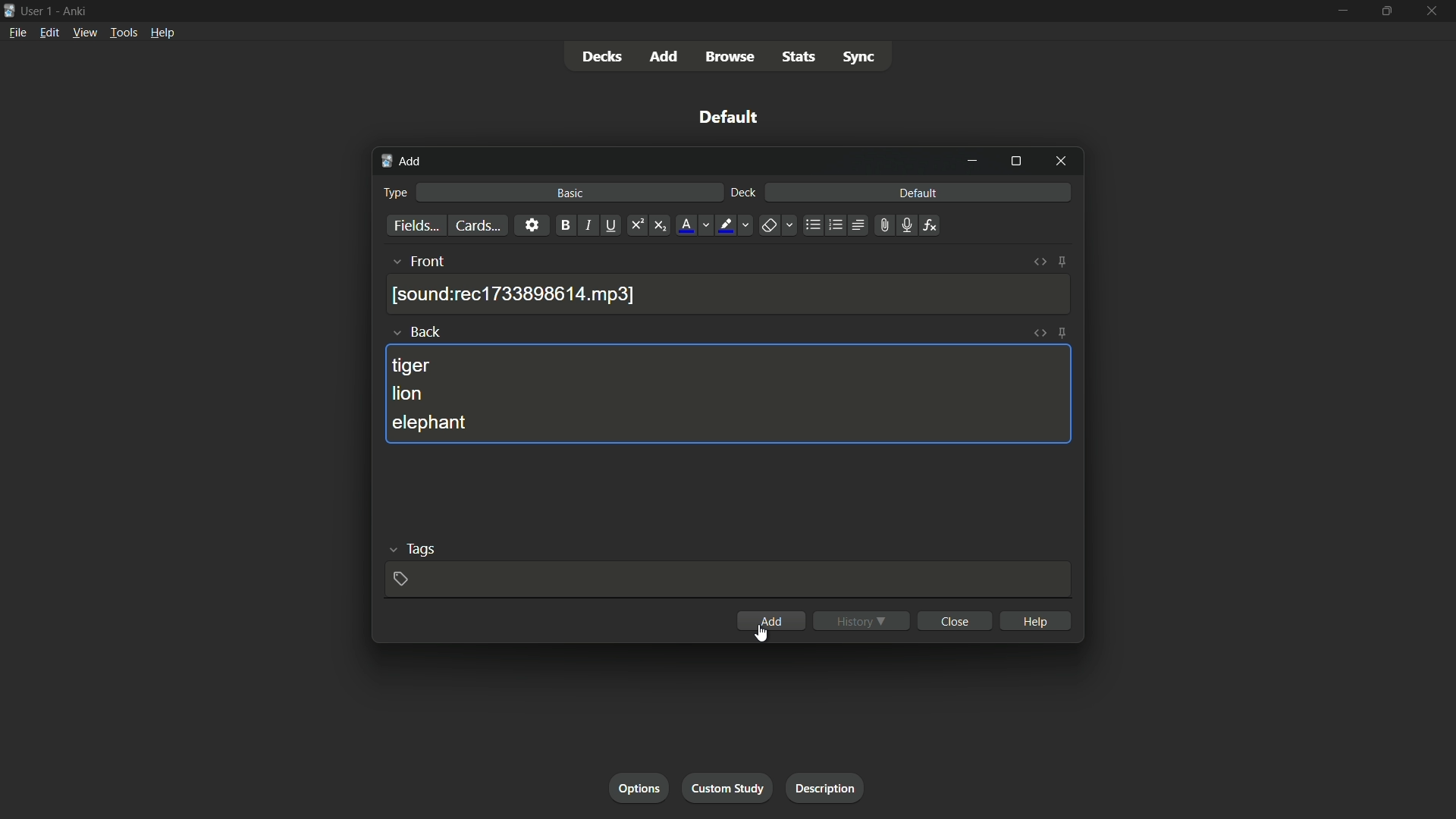 The height and width of the screenshot is (819, 1456). Describe the element at coordinates (665, 56) in the screenshot. I see `add` at that location.